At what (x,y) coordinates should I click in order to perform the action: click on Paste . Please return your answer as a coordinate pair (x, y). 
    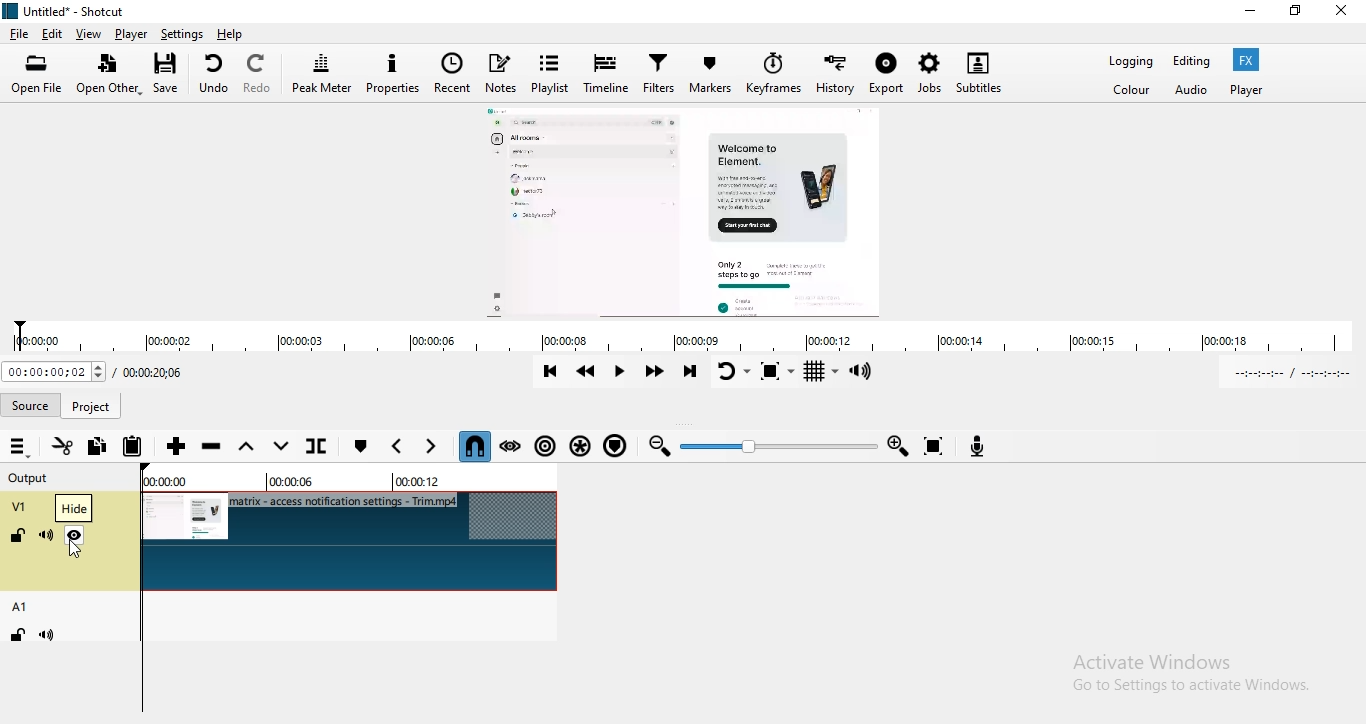
    Looking at the image, I should click on (134, 444).